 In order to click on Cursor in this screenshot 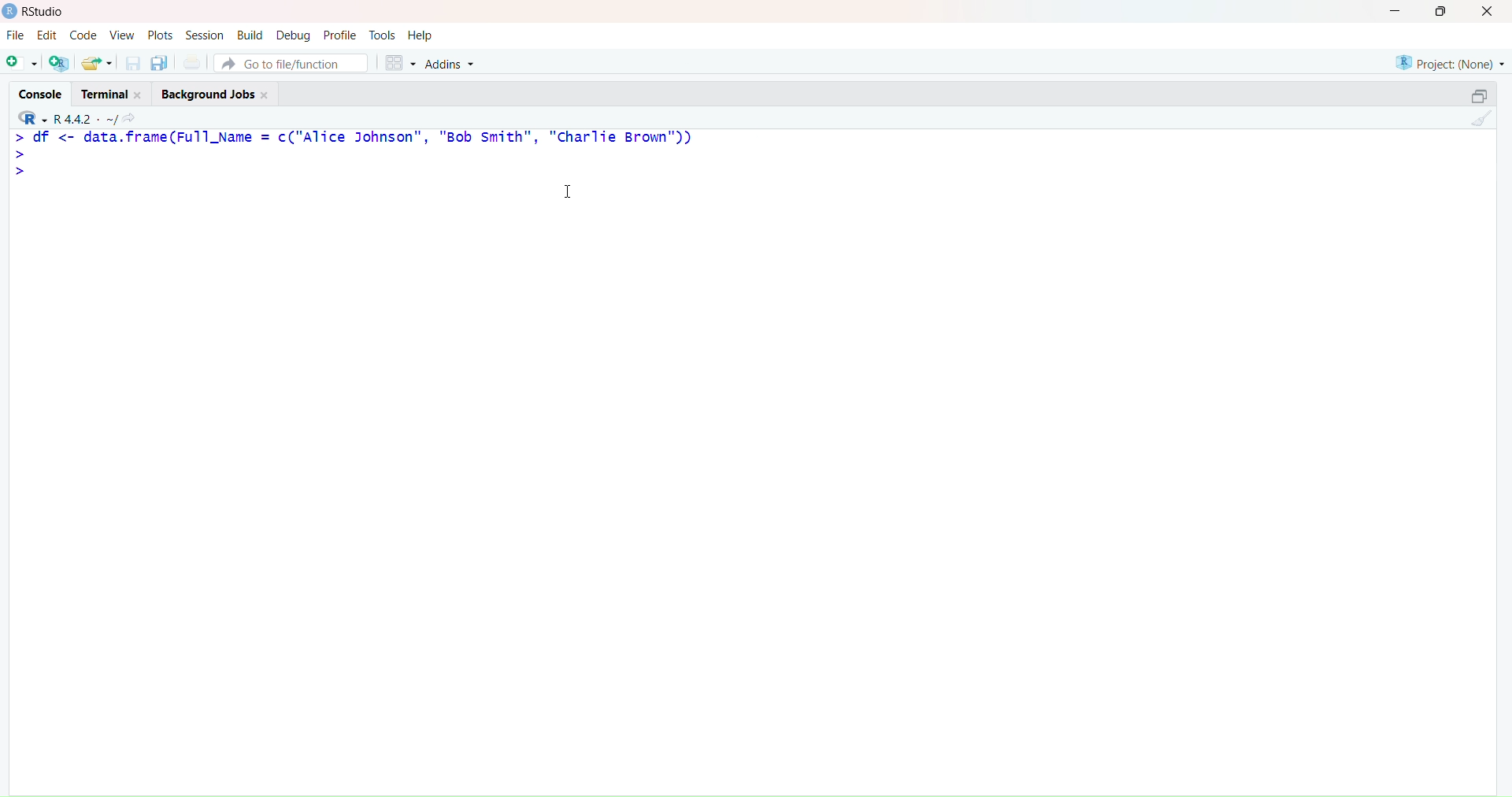, I will do `click(571, 194)`.